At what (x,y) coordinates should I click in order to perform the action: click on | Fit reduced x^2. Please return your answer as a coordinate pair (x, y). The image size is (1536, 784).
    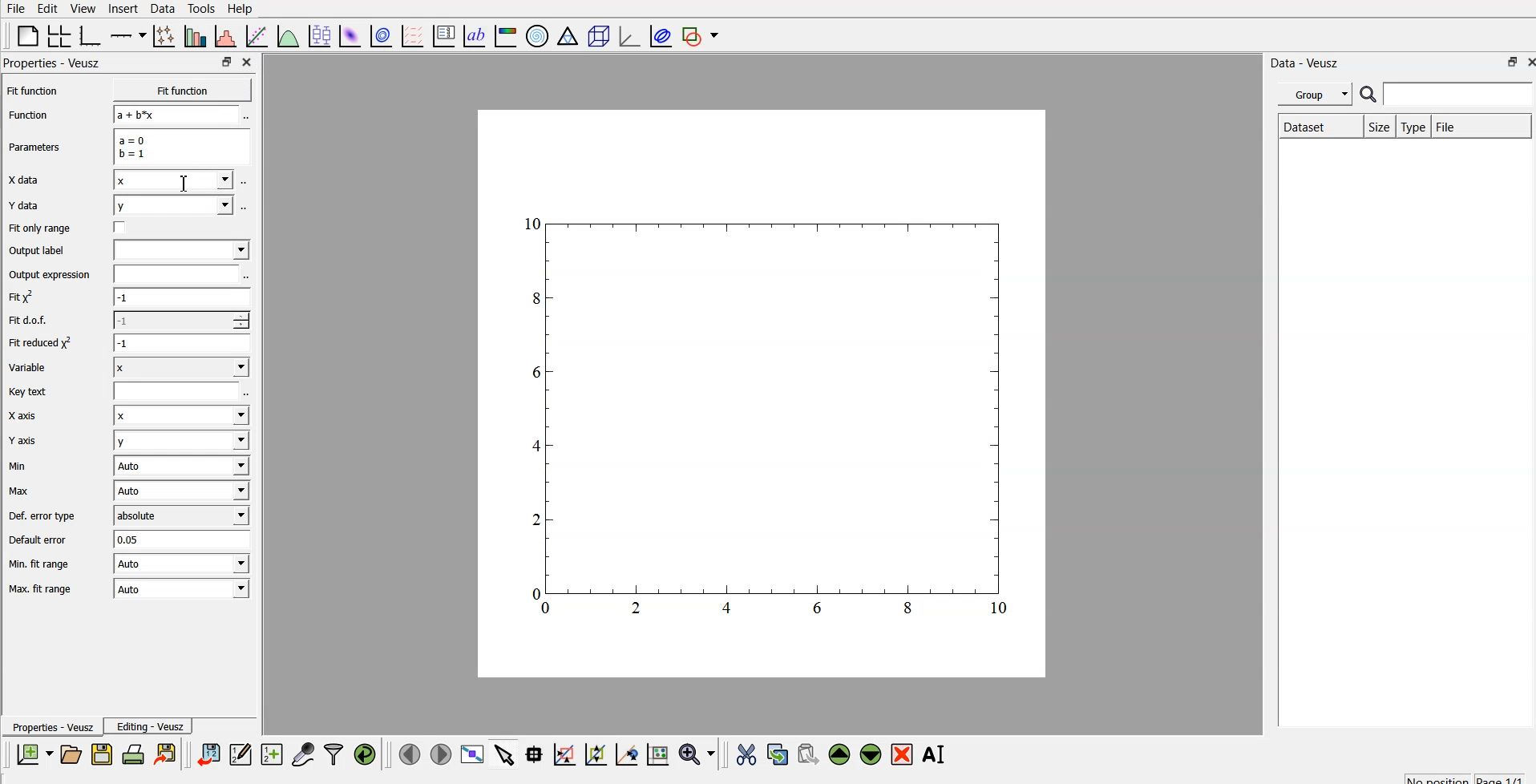
    Looking at the image, I should click on (39, 342).